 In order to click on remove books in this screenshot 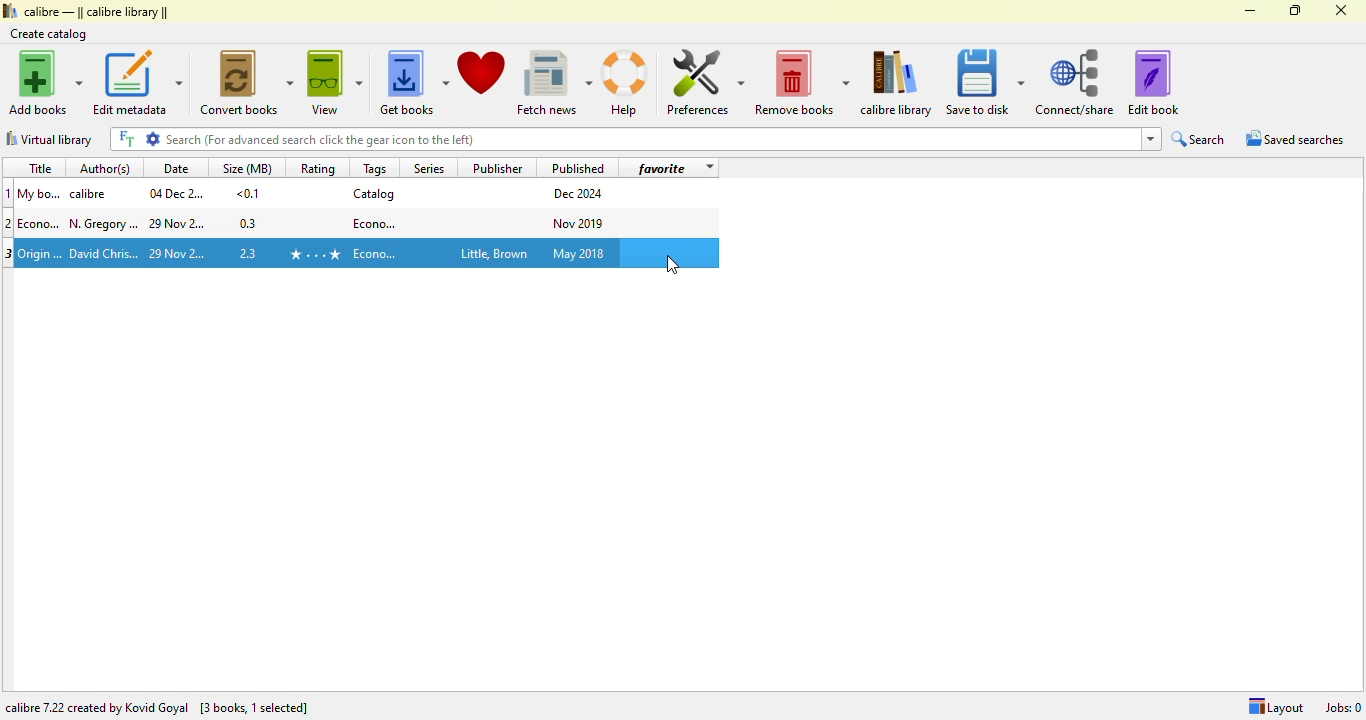, I will do `click(802, 83)`.